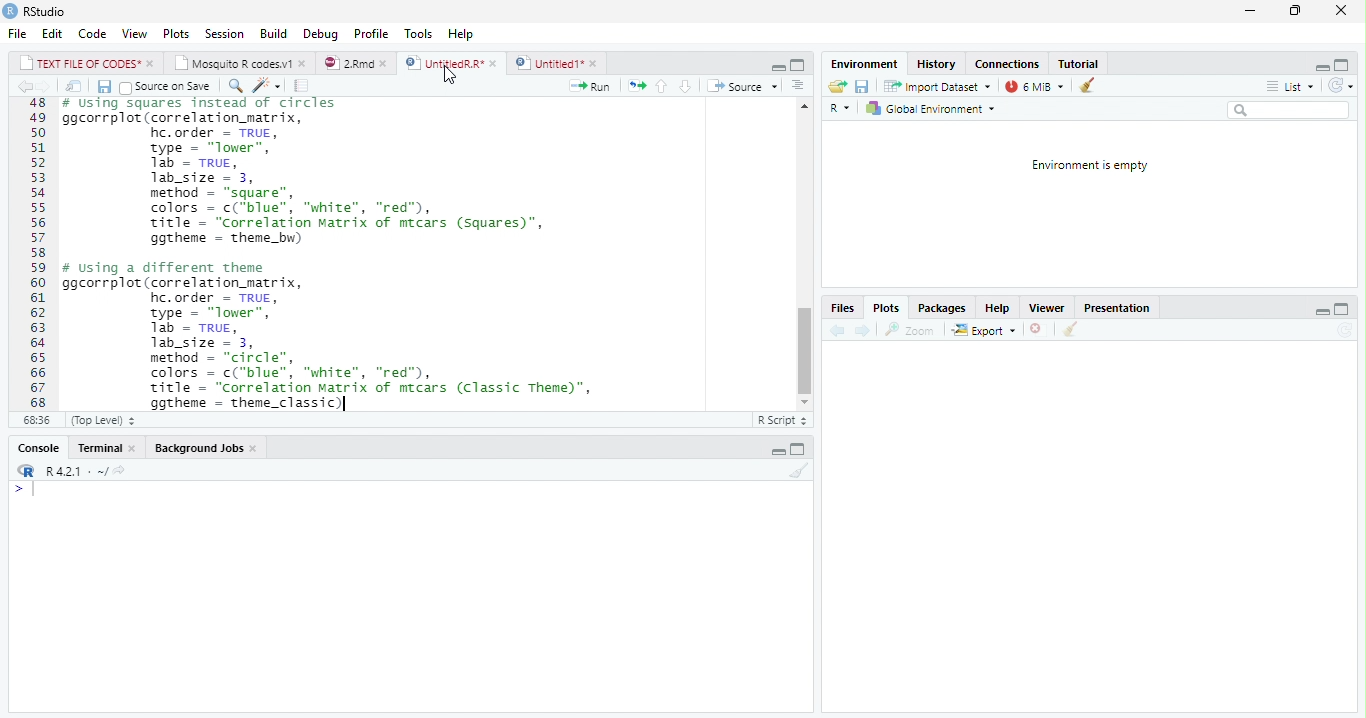 Image resolution: width=1366 pixels, height=718 pixels. What do you see at coordinates (836, 86) in the screenshot?
I see `load workspace` at bounding box center [836, 86].